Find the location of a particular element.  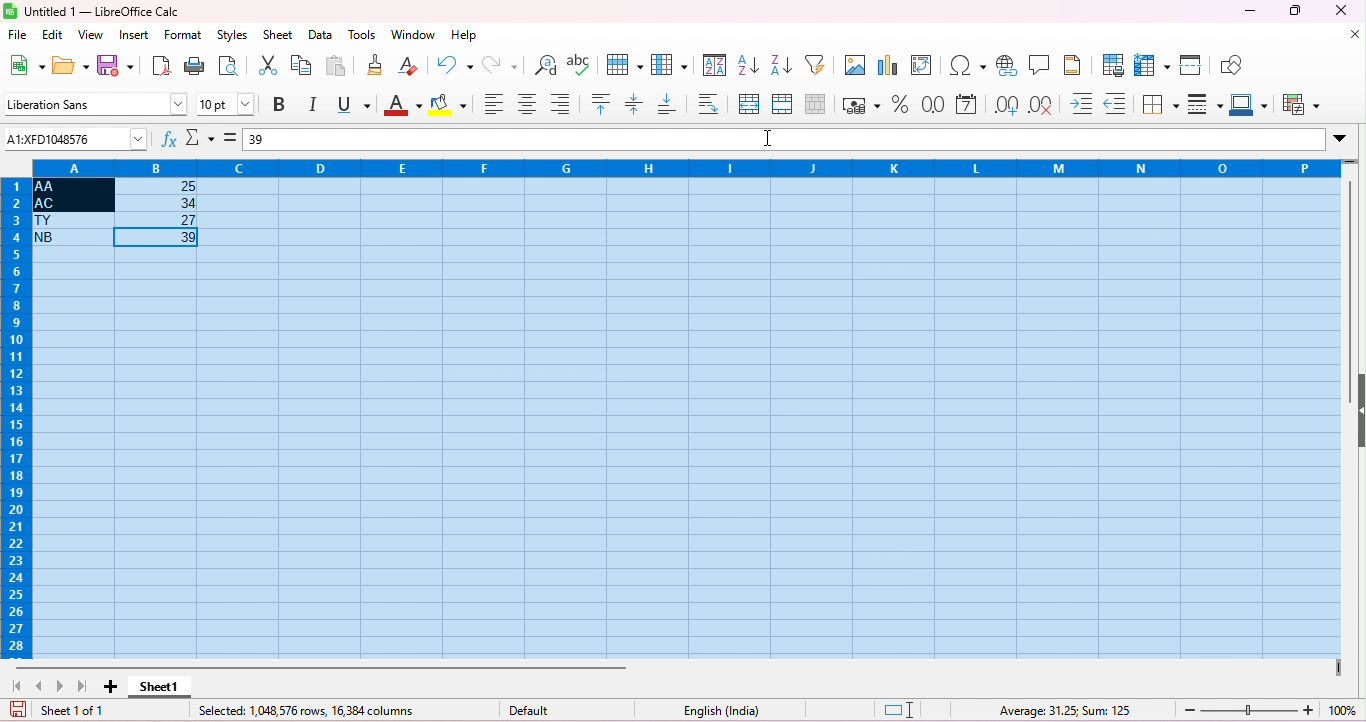

define print area is located at coordinates (1114, 66).